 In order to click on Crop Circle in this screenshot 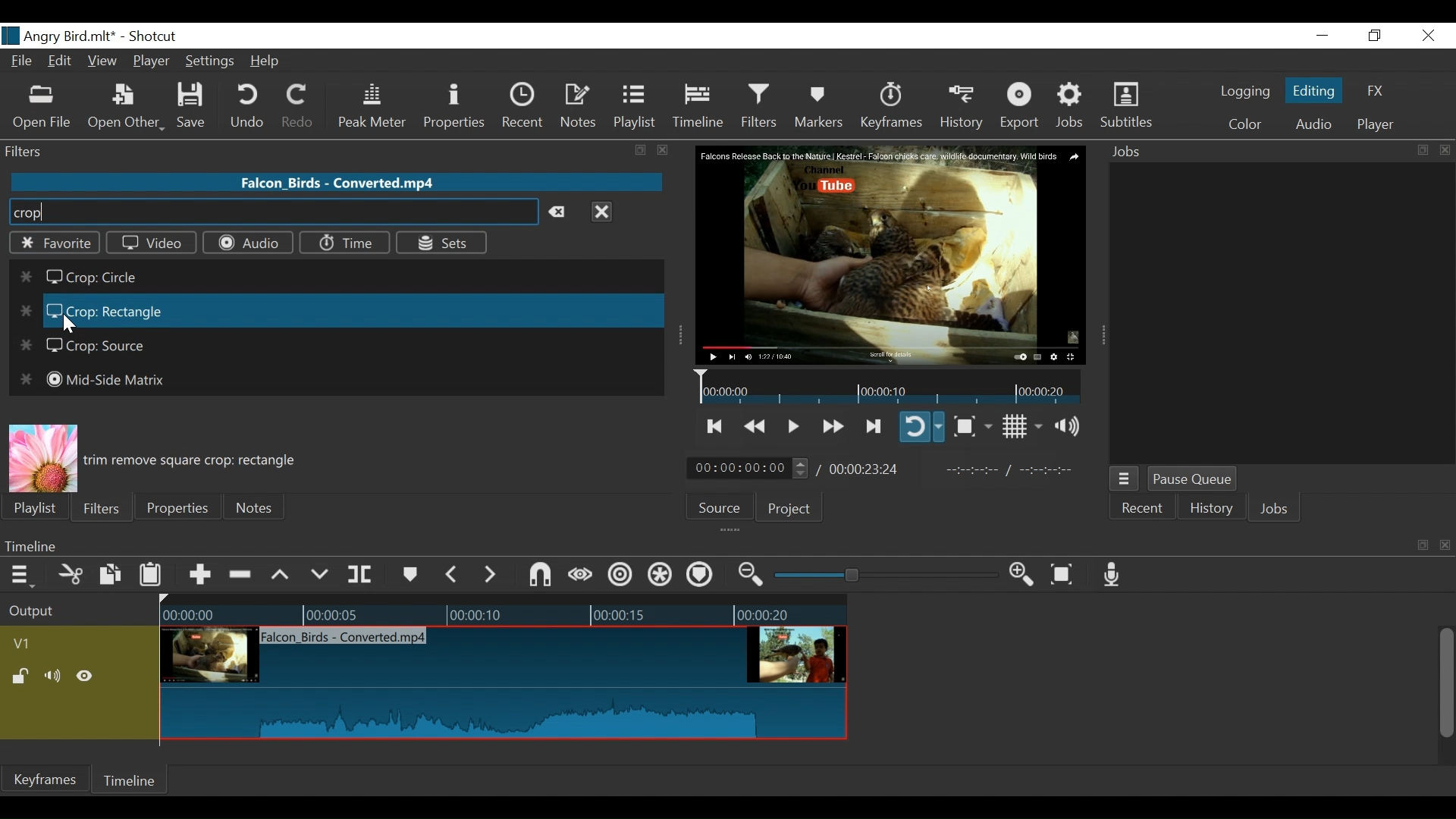, I will do `click(77, 279)`.